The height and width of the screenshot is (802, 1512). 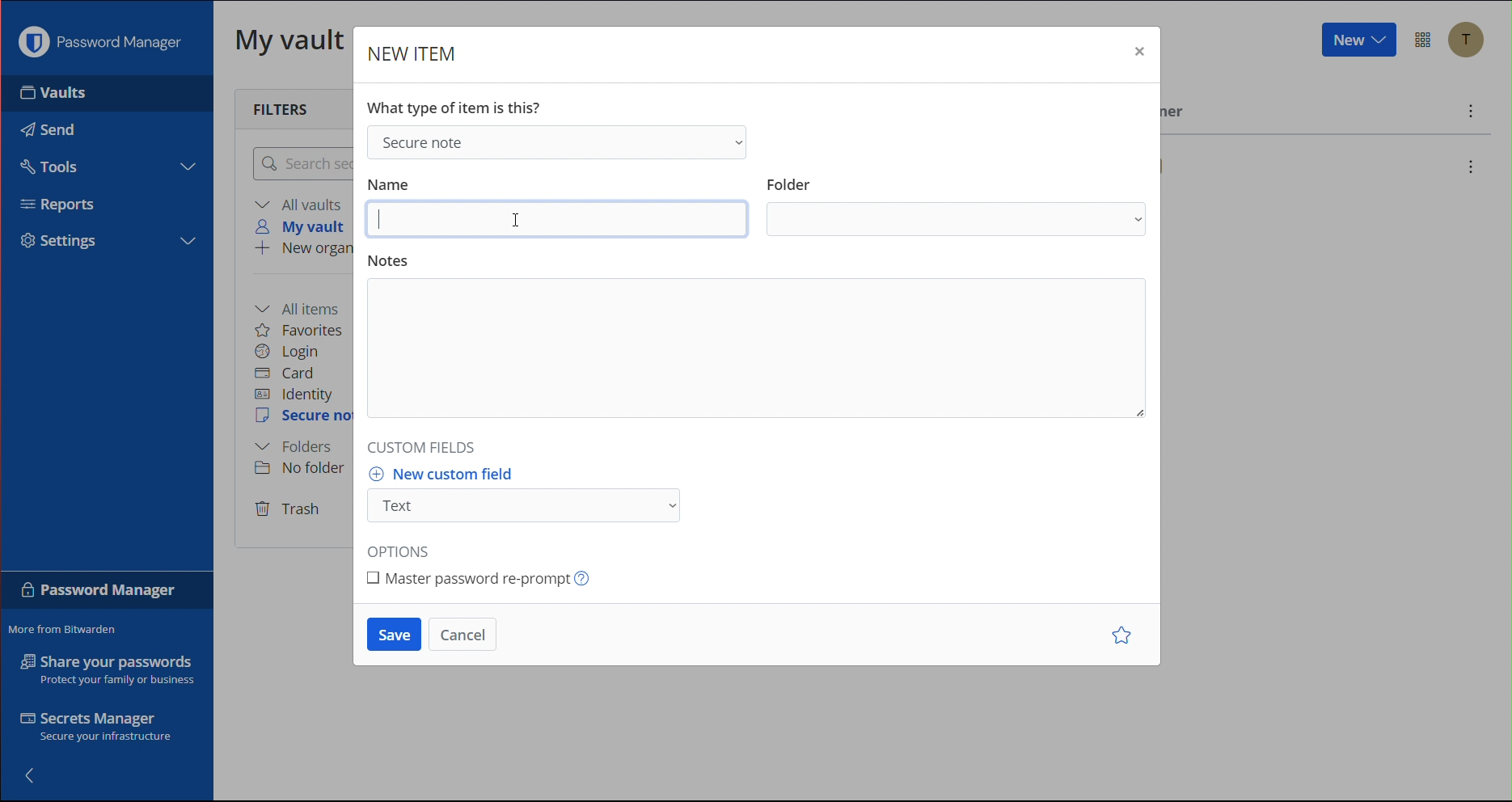 What do you see at coordinates (1125, 636) in the screenshot?
I see `Star` at bounding box center [1125, 636].